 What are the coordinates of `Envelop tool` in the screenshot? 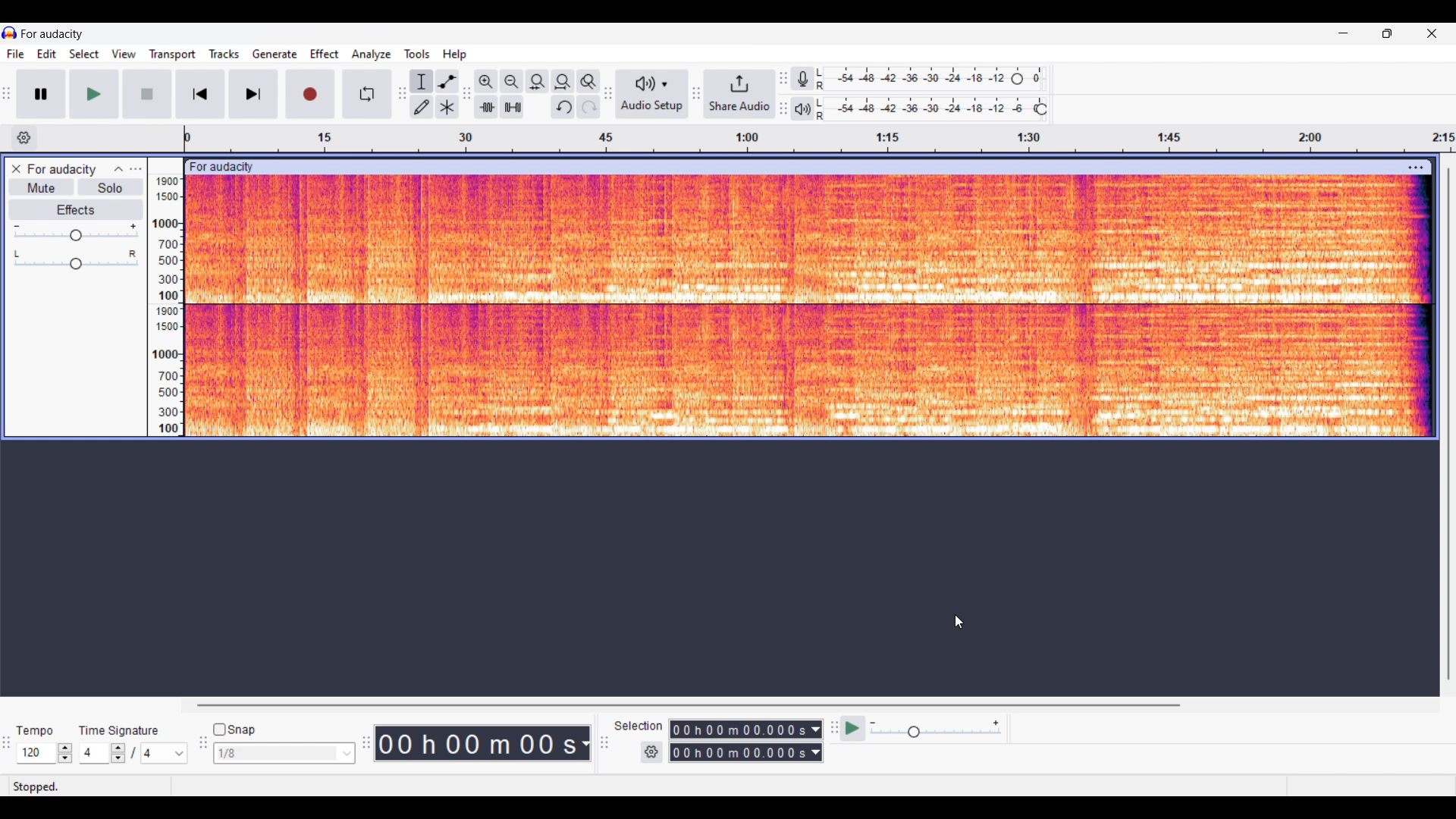 It's located at (447, 82).